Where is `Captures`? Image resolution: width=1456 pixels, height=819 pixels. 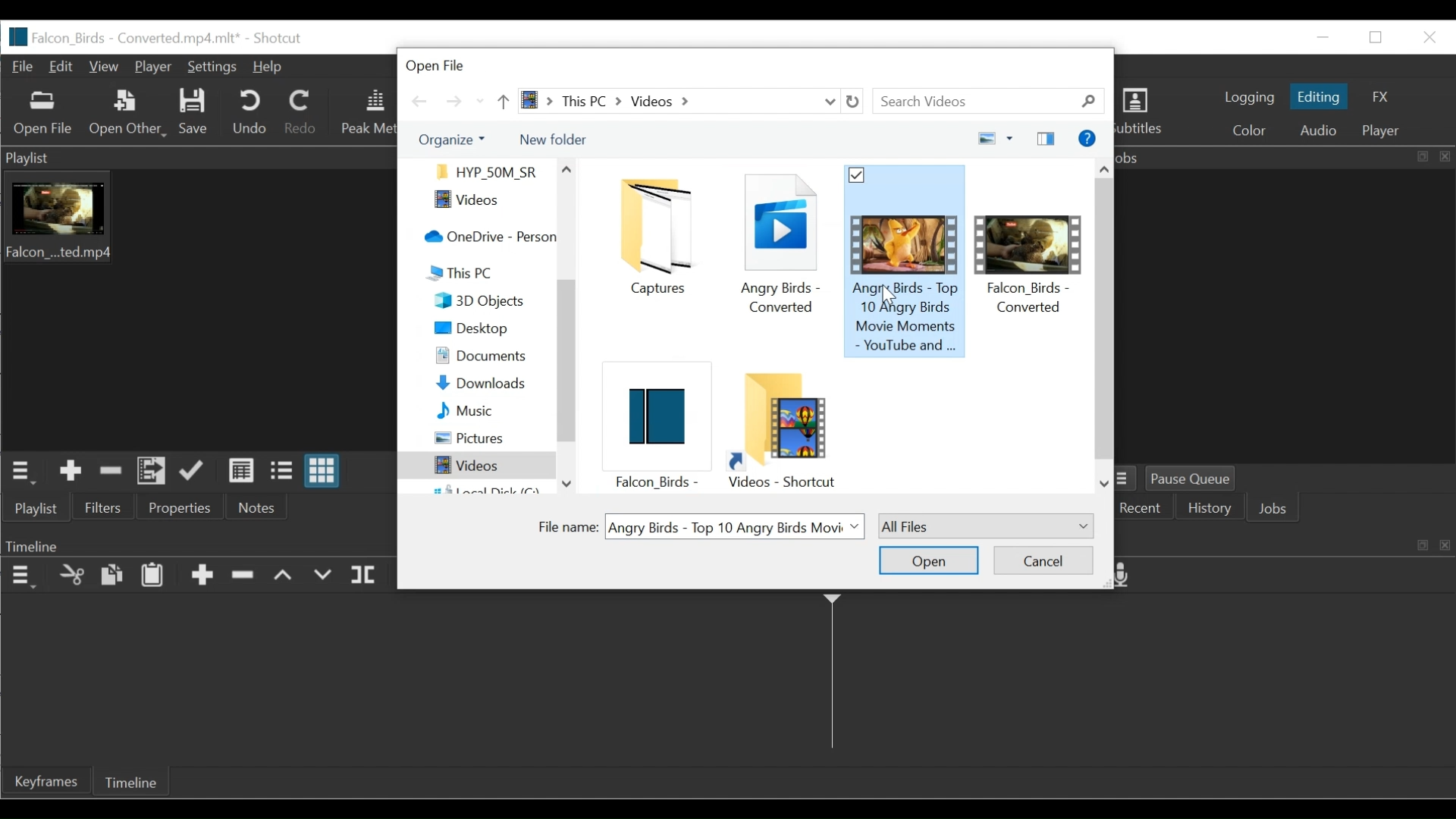 Captures is located at coordinates (662, 237).